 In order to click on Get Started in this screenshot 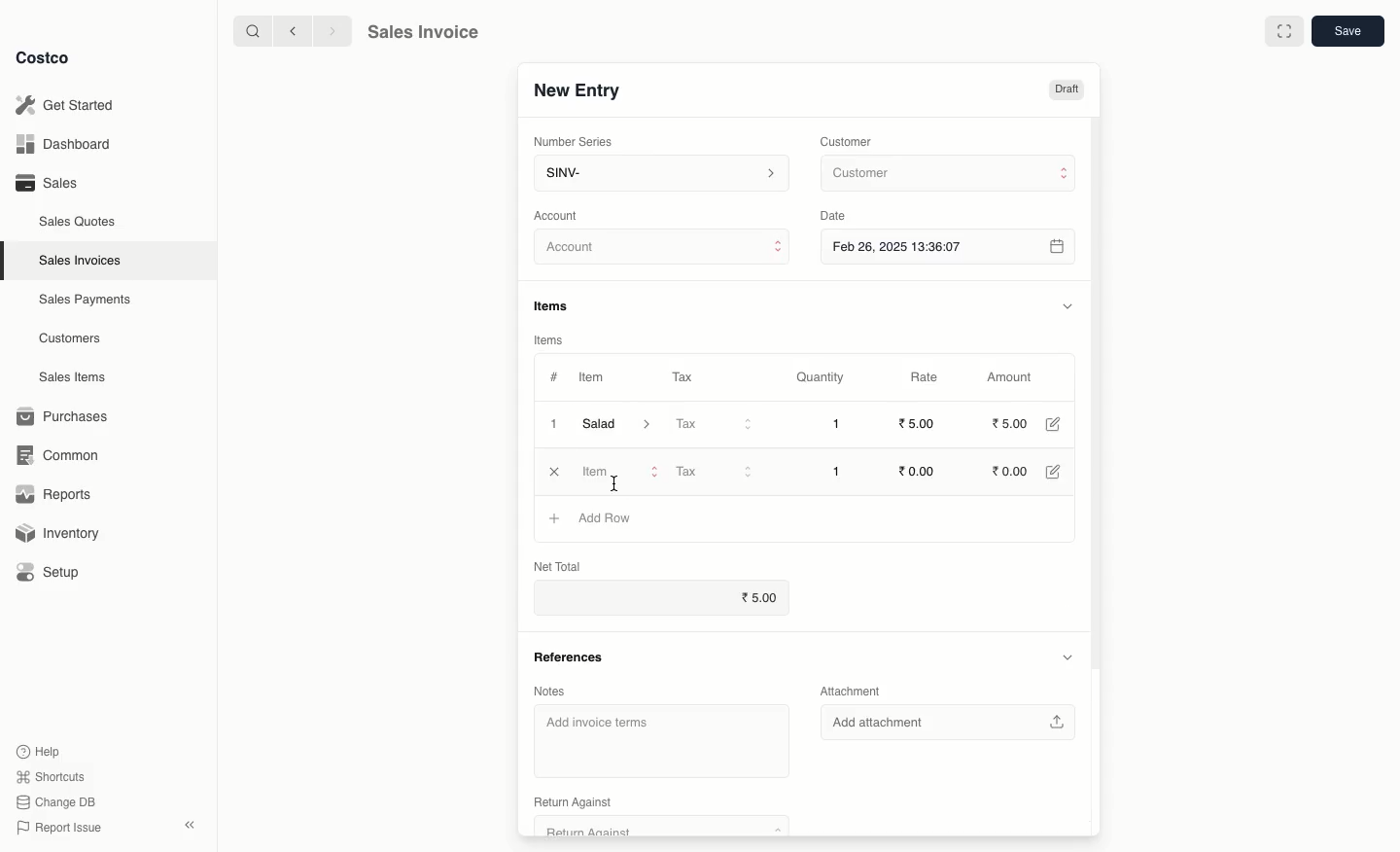, I will do `click(64, 104)`.